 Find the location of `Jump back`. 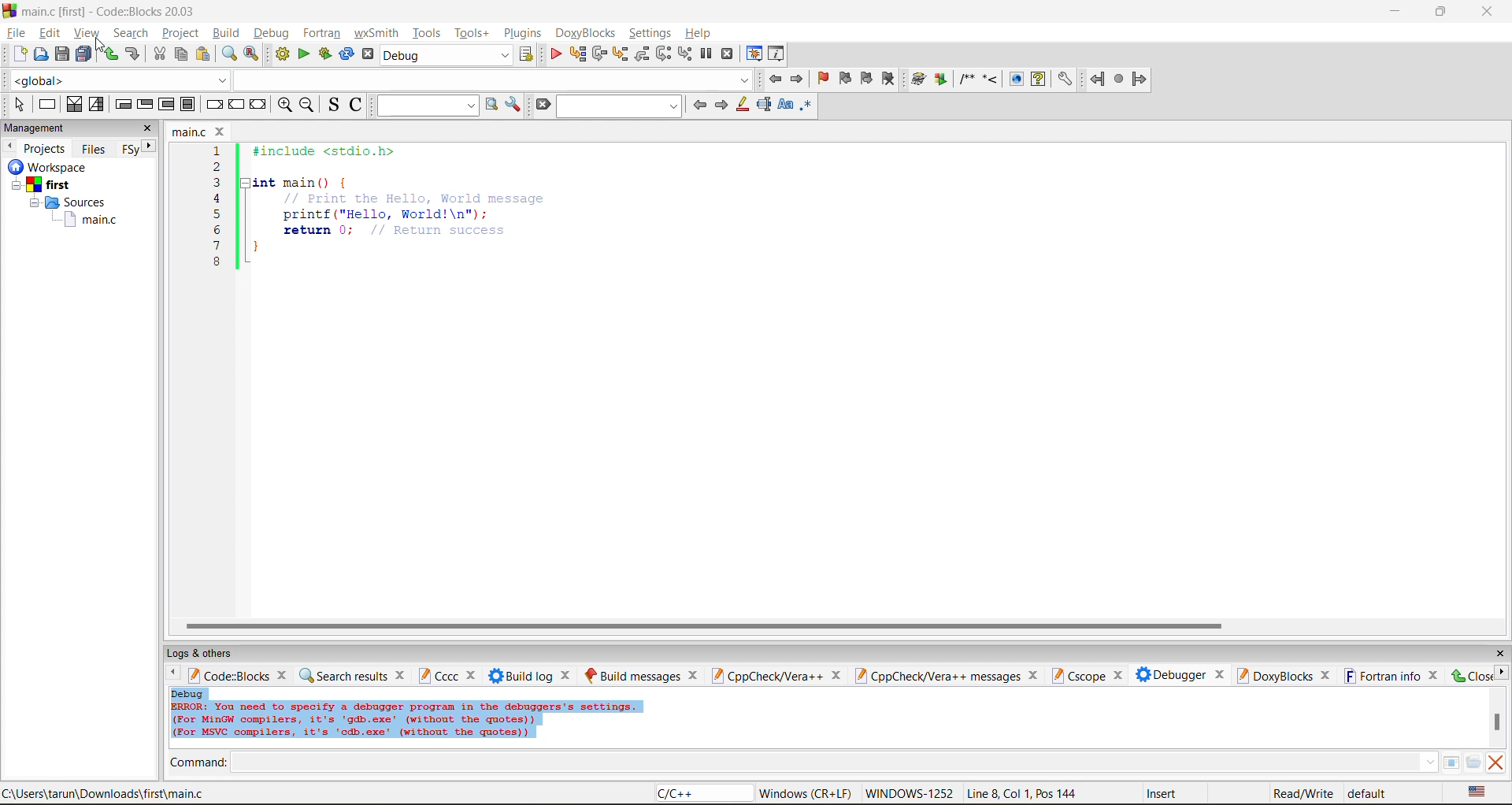

Jump back is located at coordinates (1095, 80).